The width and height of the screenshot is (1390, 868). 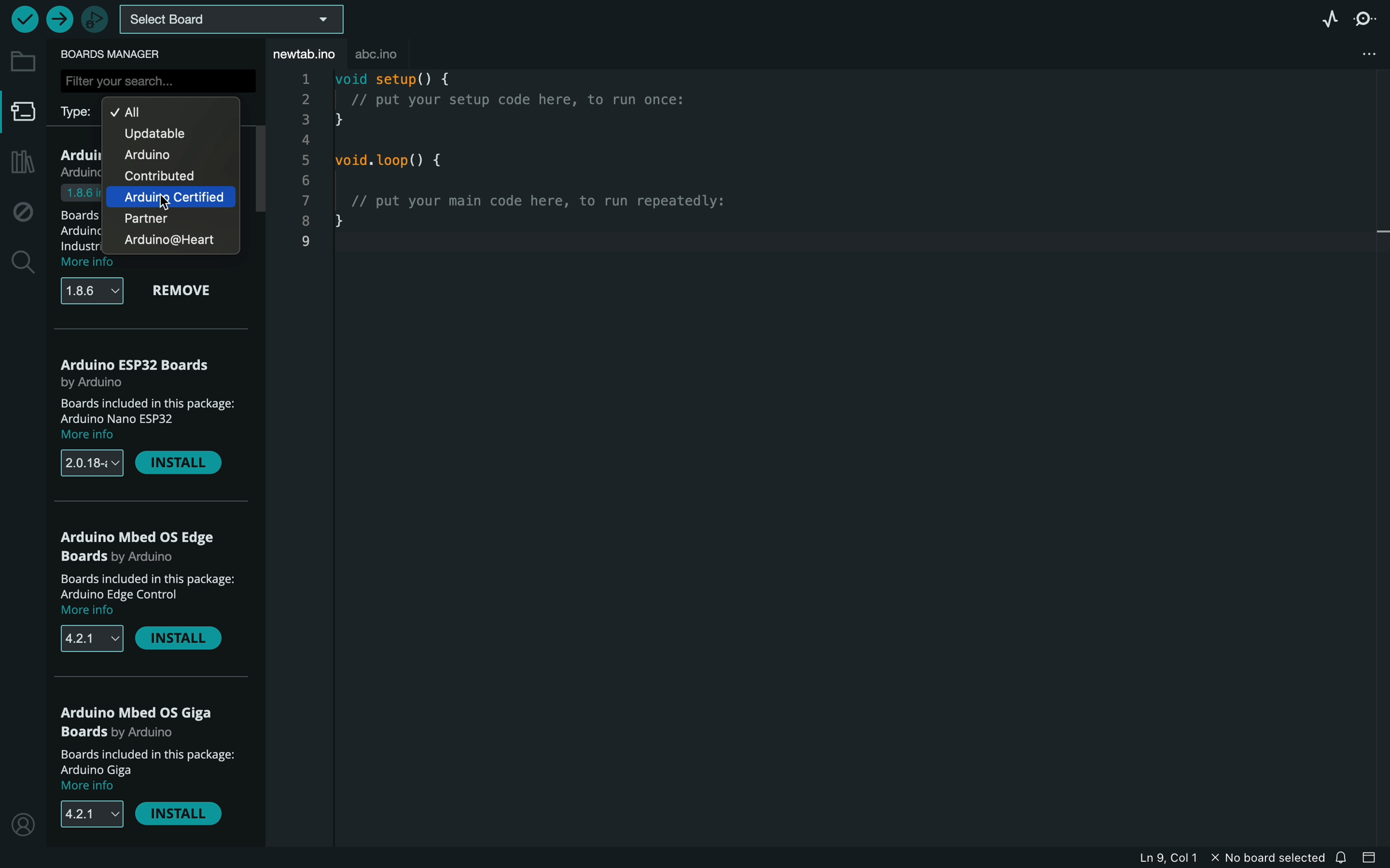 What do you see at coordinates (96, 290) in the screenshot?
I see `versions` at bounding box center [96, 290].